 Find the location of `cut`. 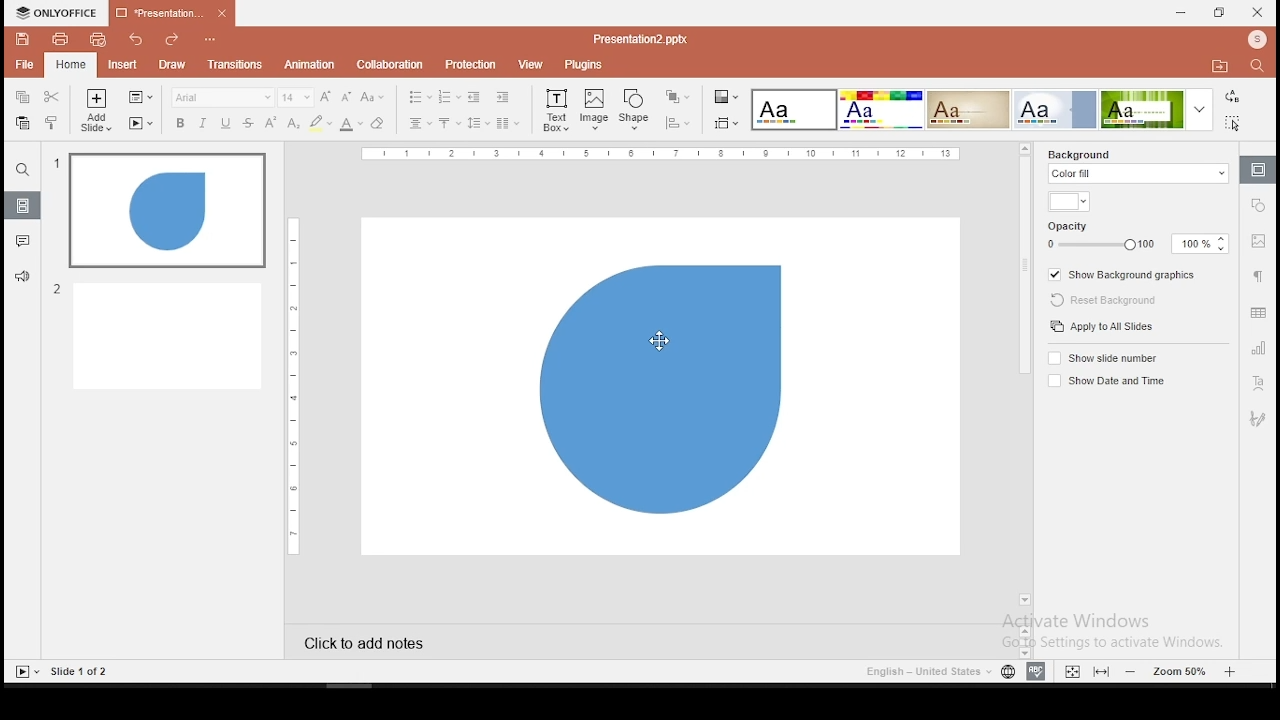

cut is located at coordinates (51, 98).